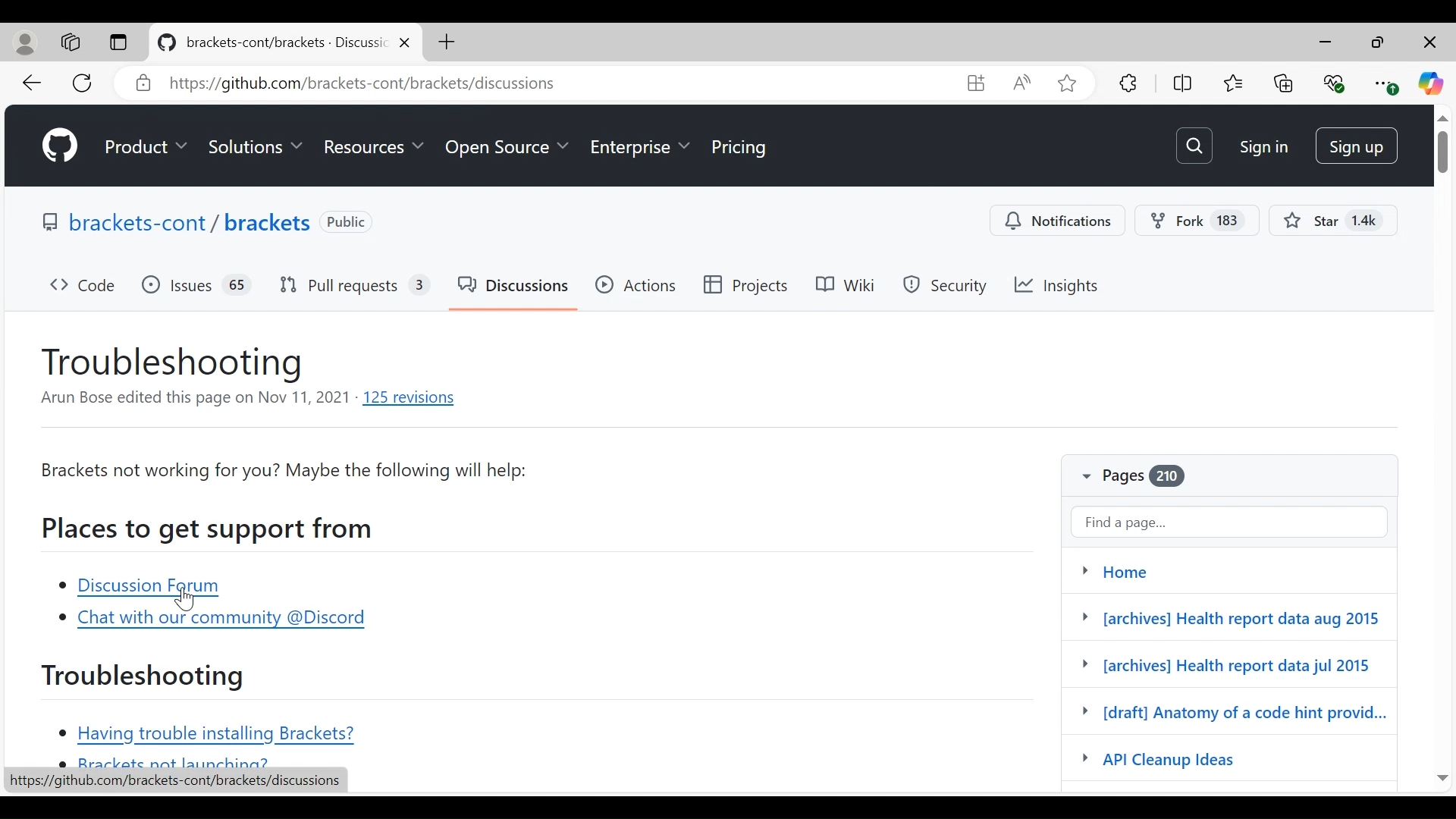  Describe the element at coordinates (84, 287) in the screenshot. I see `Code` at that location.